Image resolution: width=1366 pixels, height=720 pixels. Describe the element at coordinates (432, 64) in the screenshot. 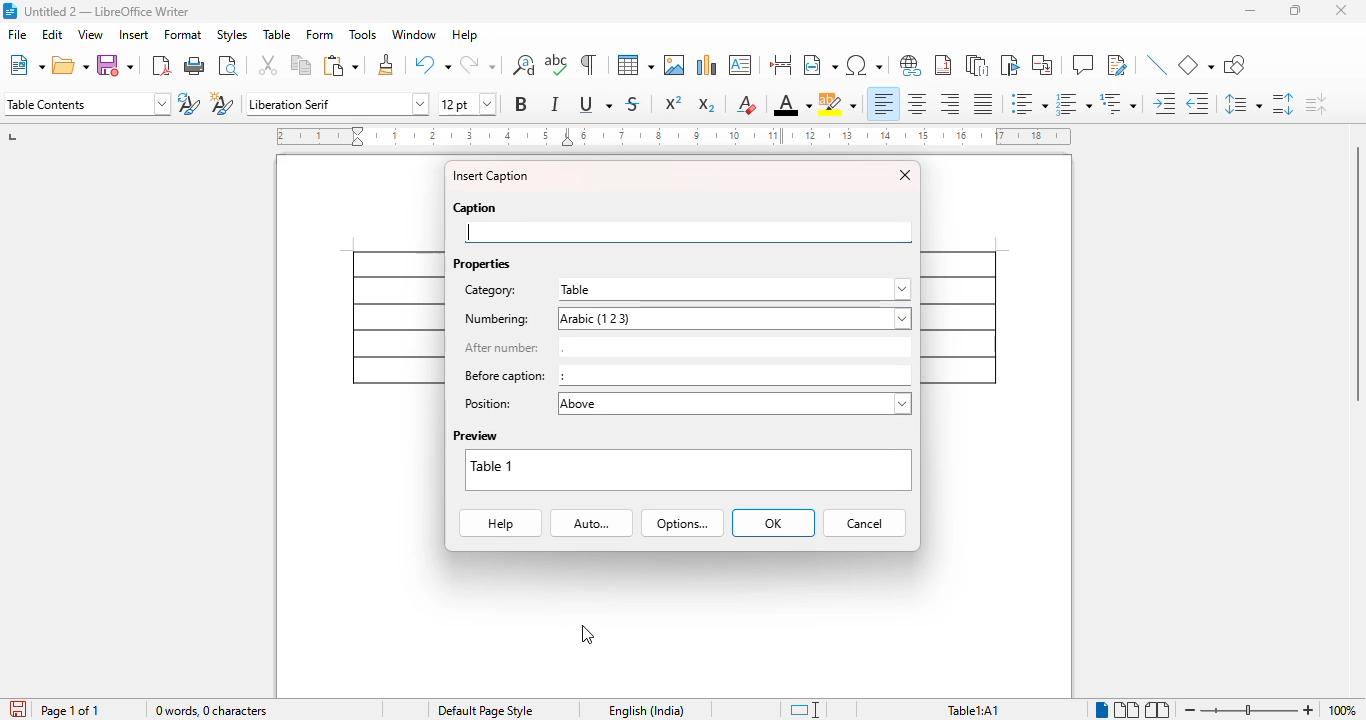

I see `undo` at that location.